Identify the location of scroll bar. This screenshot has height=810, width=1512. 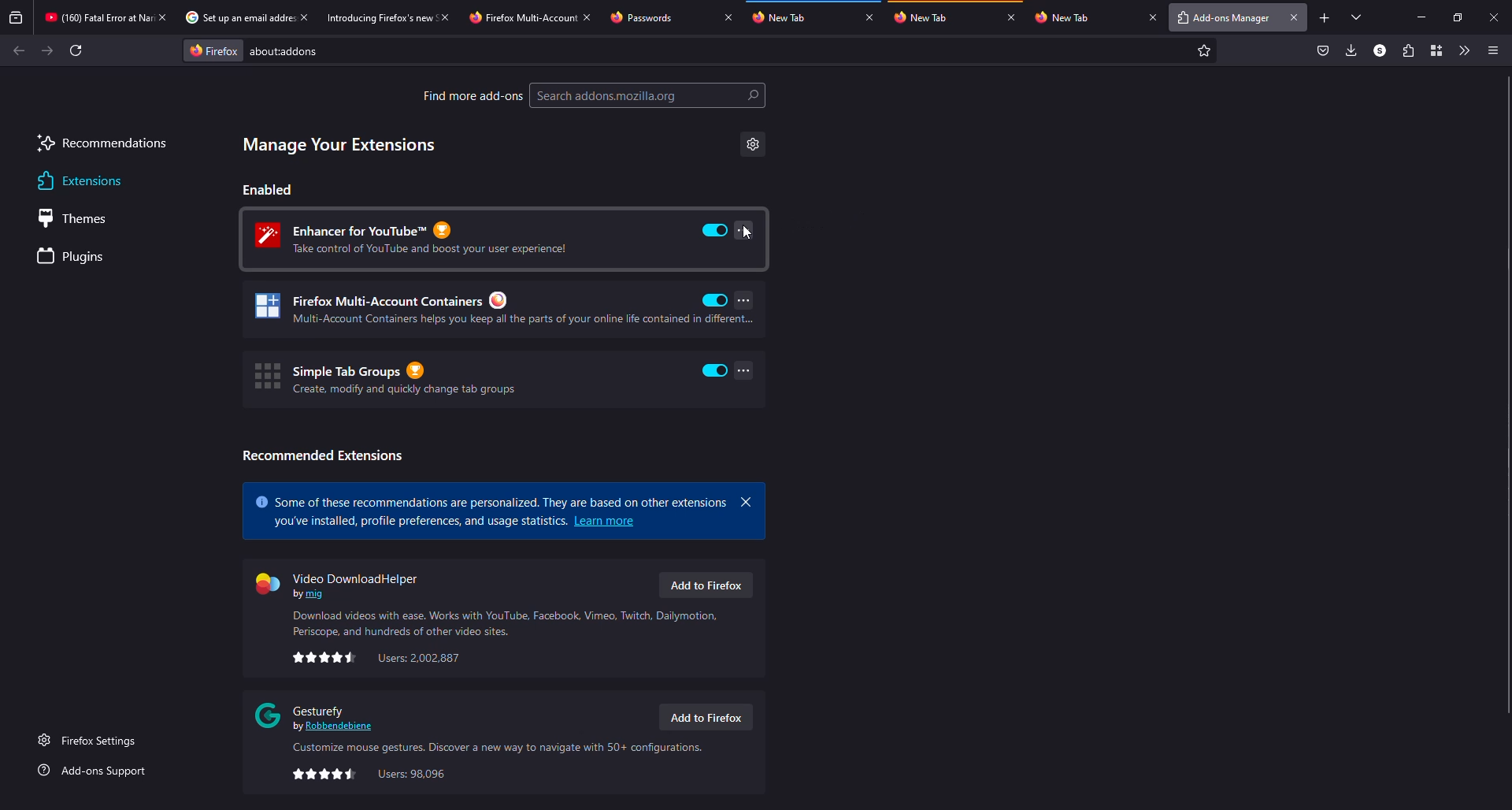
(1510, 394).